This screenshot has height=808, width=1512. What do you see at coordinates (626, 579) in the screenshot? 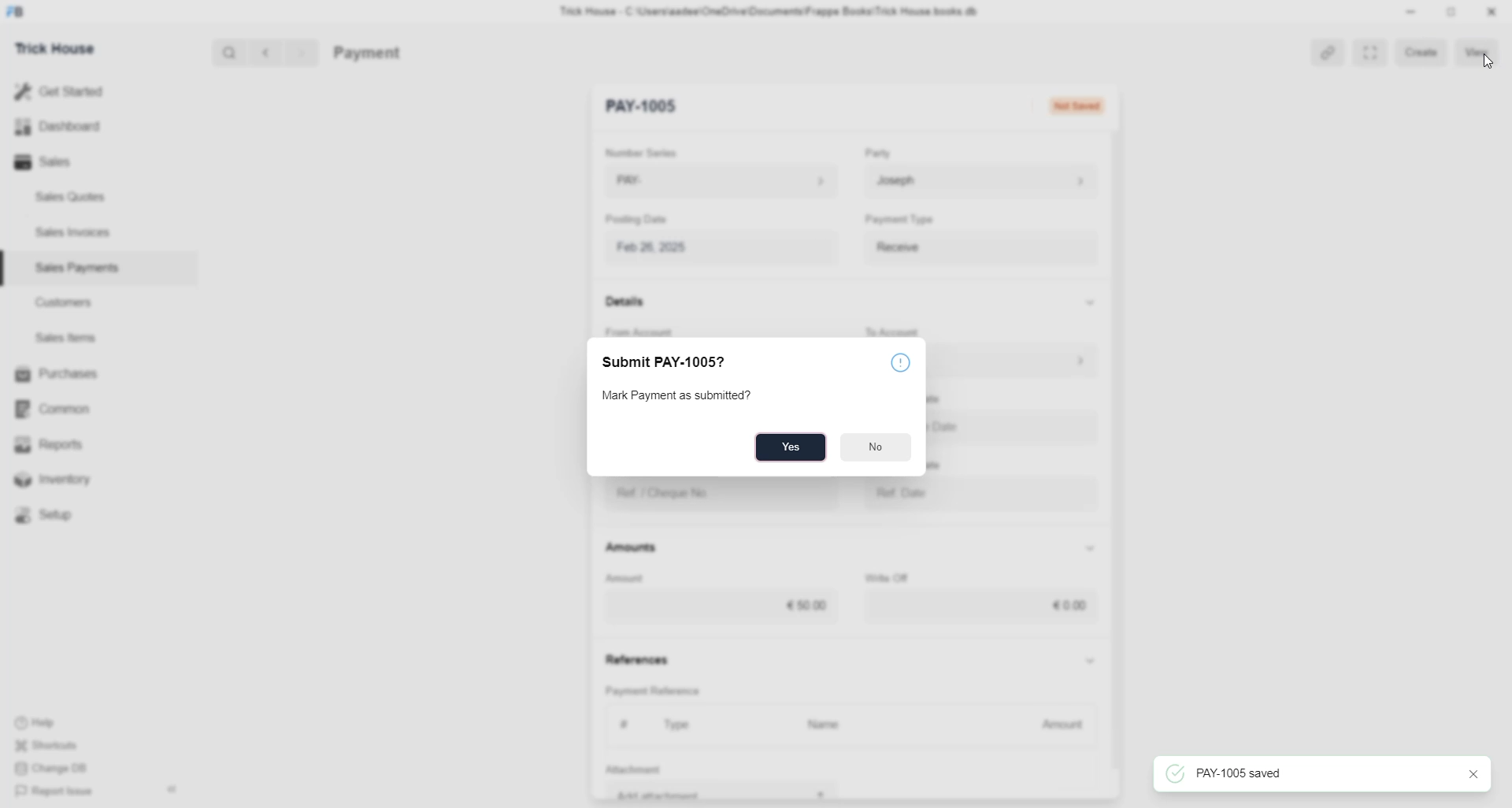
I see `Amount` at bounding box center [626, 579].